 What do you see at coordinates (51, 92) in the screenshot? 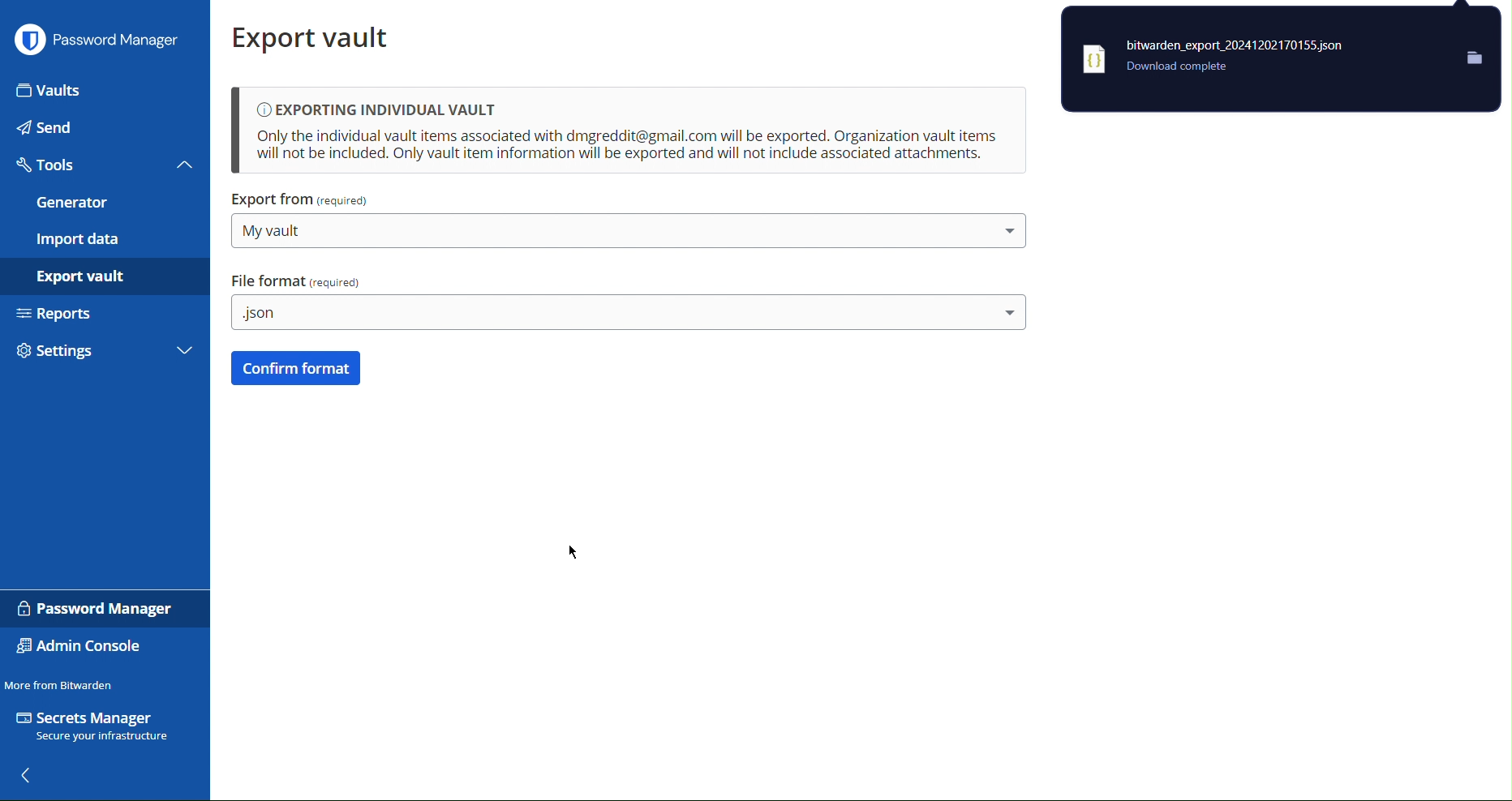
I see `Vaults` at bounding box center [51, 92].